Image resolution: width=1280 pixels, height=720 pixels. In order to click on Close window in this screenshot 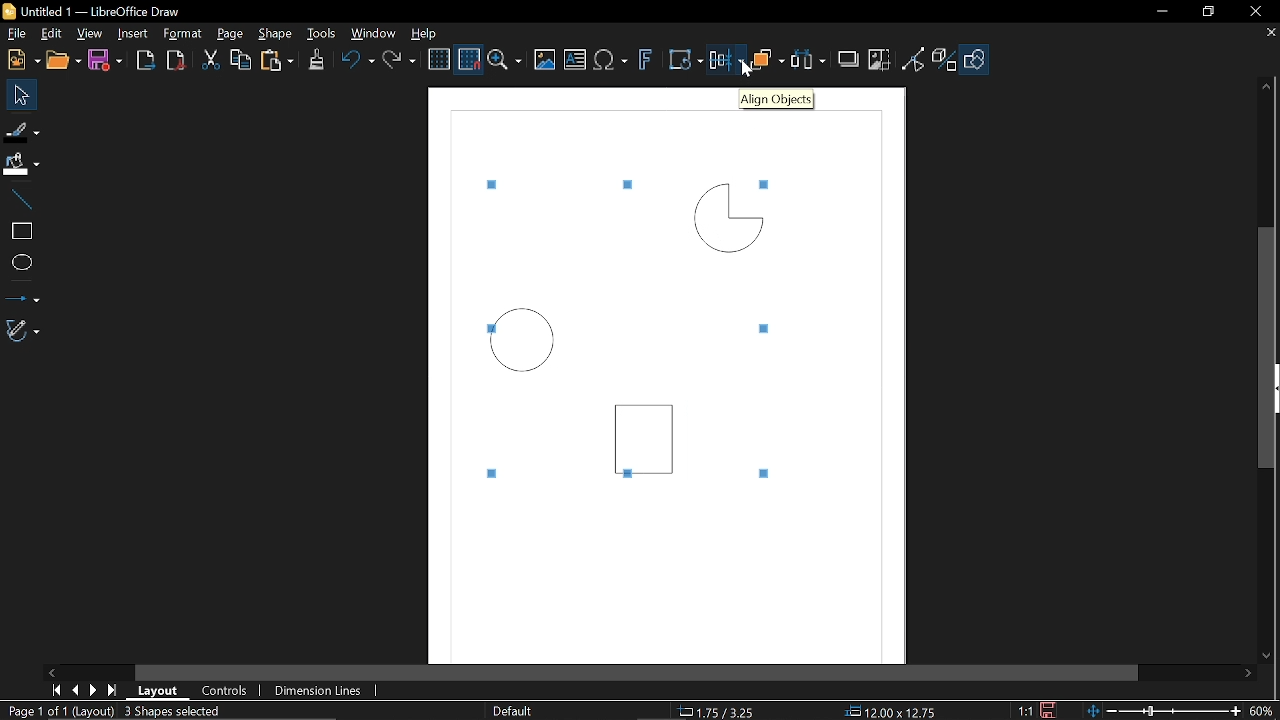, I will do `click(1250, 12)`.